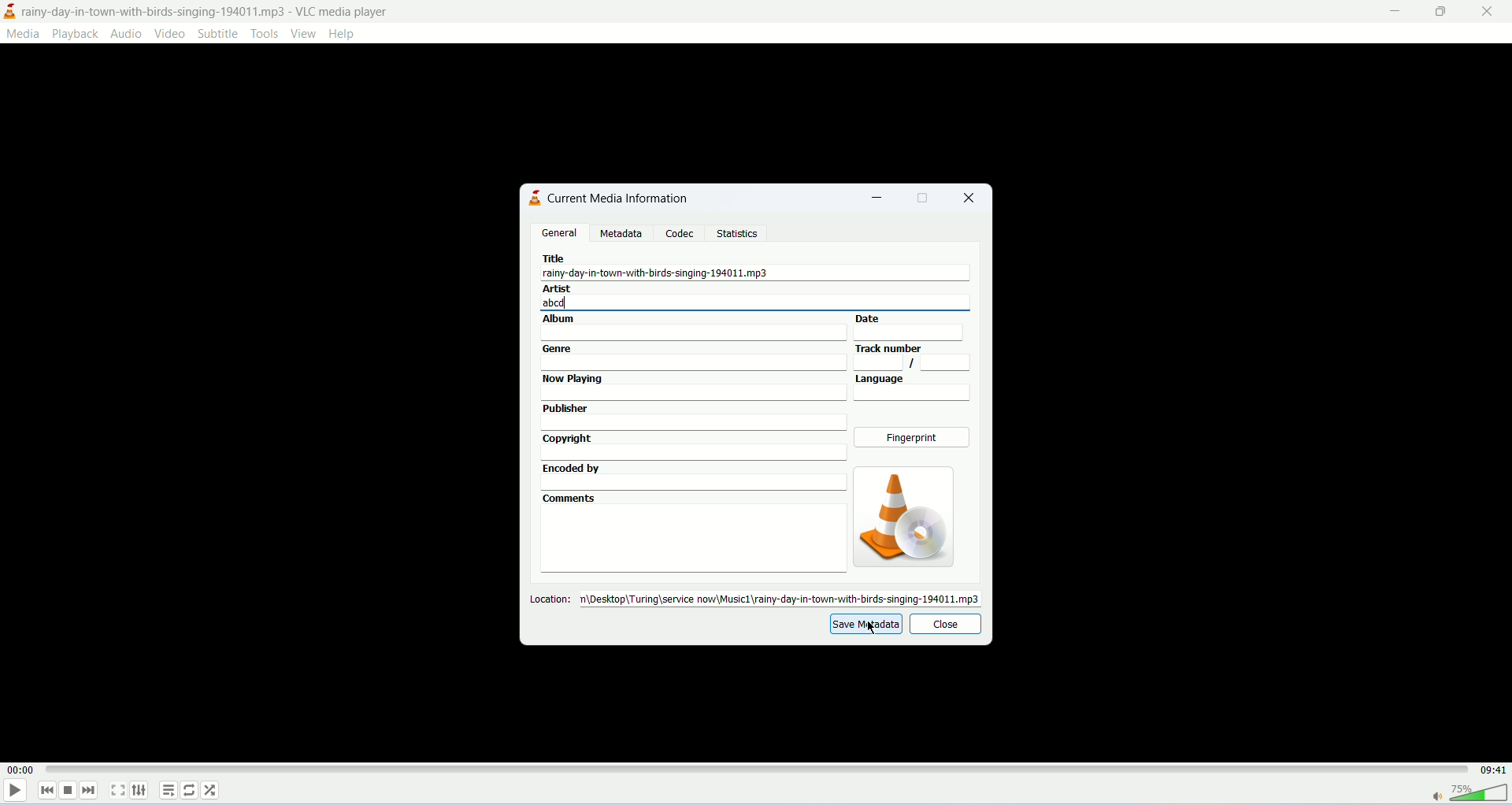  What do you see at coordinates (210, 11) in the screenshot?
I see `title` at bounding box center [210, 11].